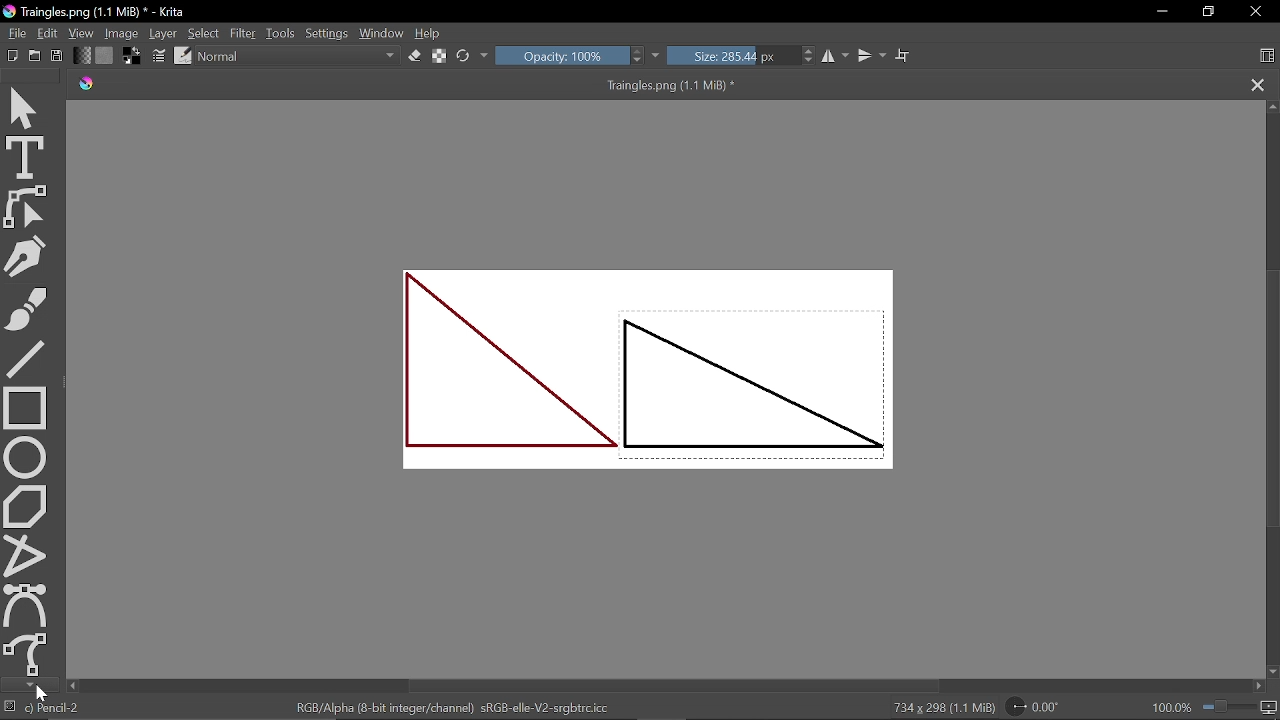  Describe the element at coordinates (242, 33) in the screenshot. I see `Filter` at that location.